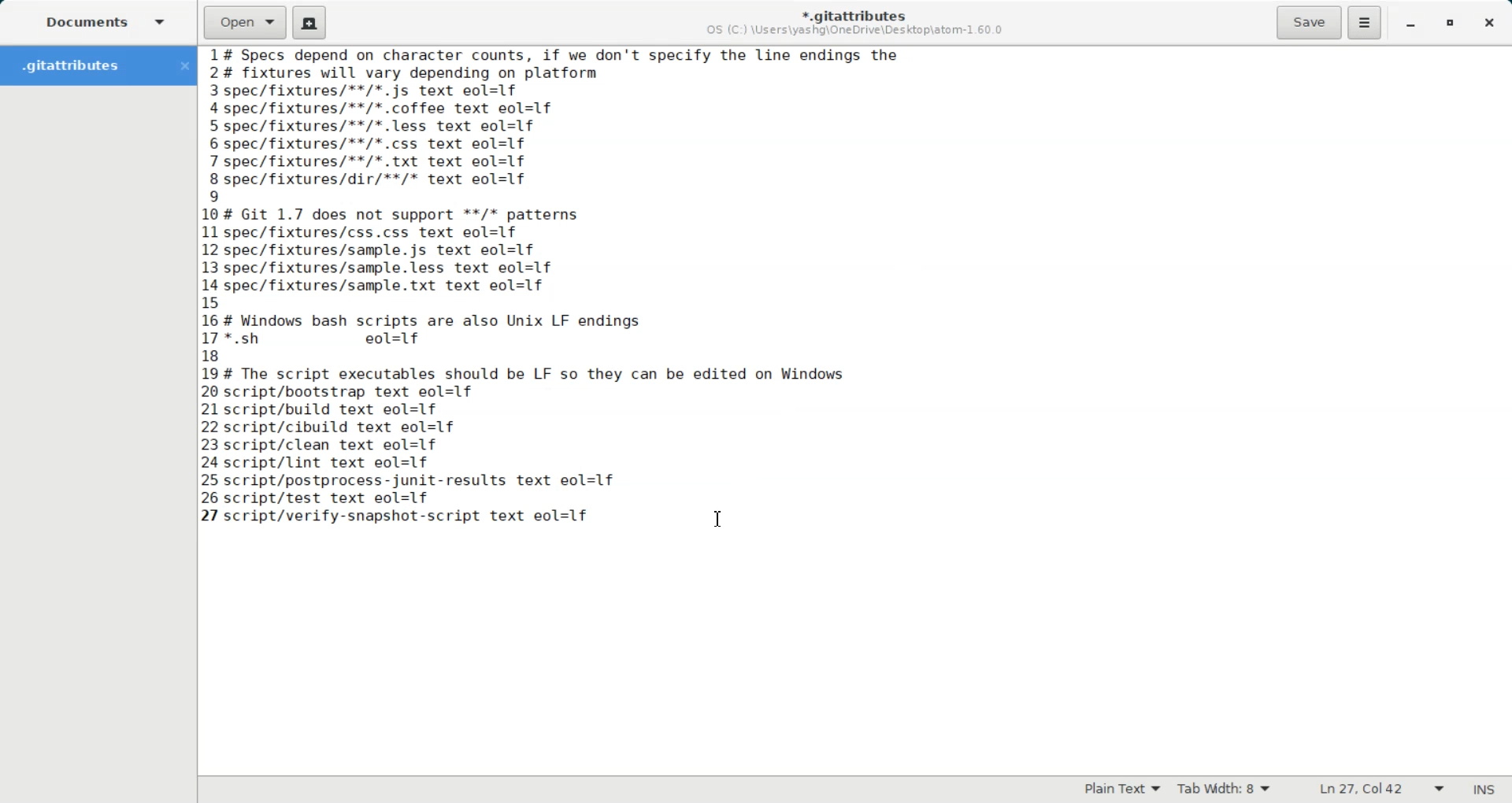 The image size is (1512, 803). Describe the element at coordinates (183, 66) in the screenshot. I see `Close Folder` at that location.